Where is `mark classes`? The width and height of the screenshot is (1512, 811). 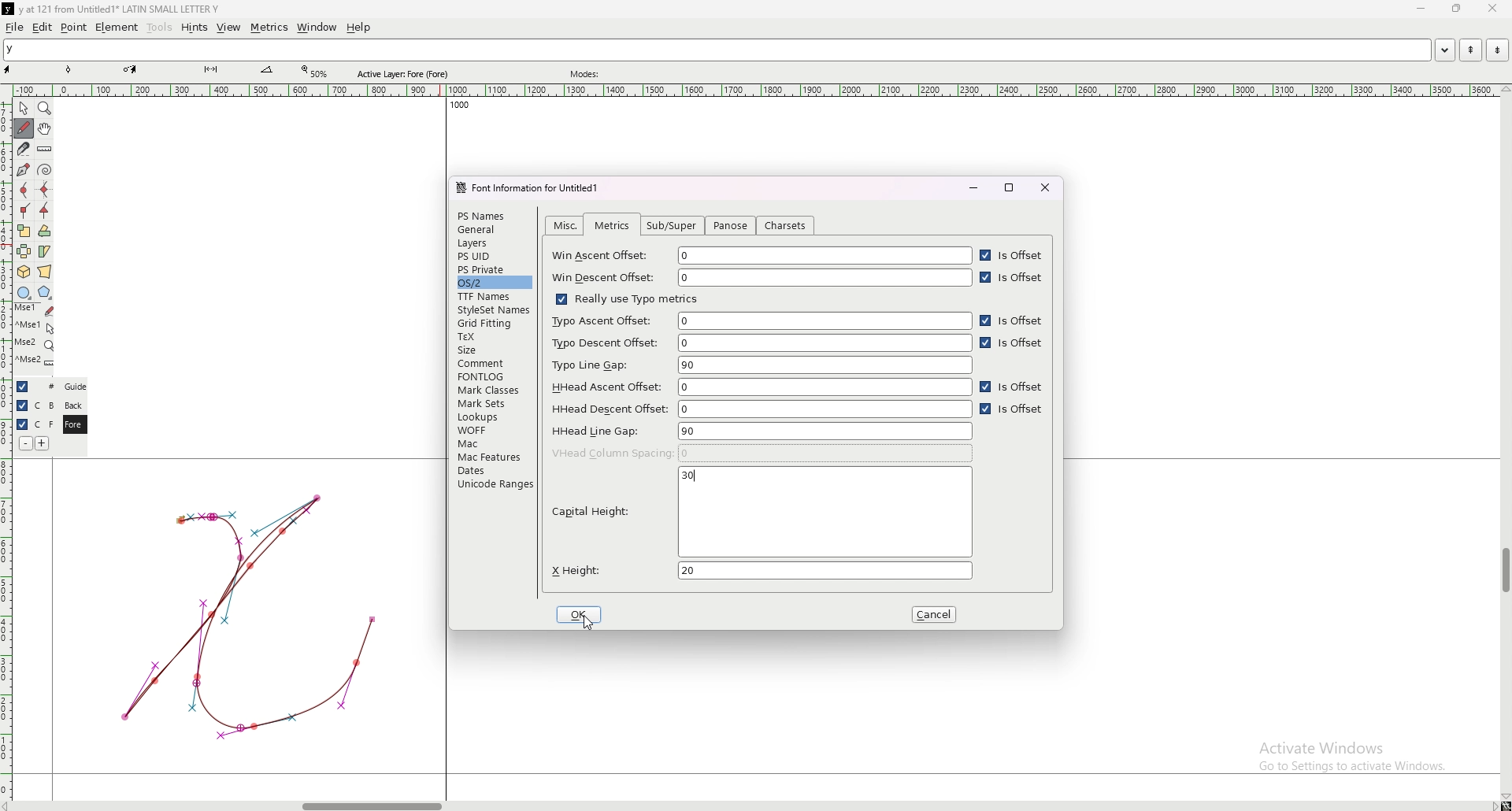 mark classes is located at coordinates (492, 391).